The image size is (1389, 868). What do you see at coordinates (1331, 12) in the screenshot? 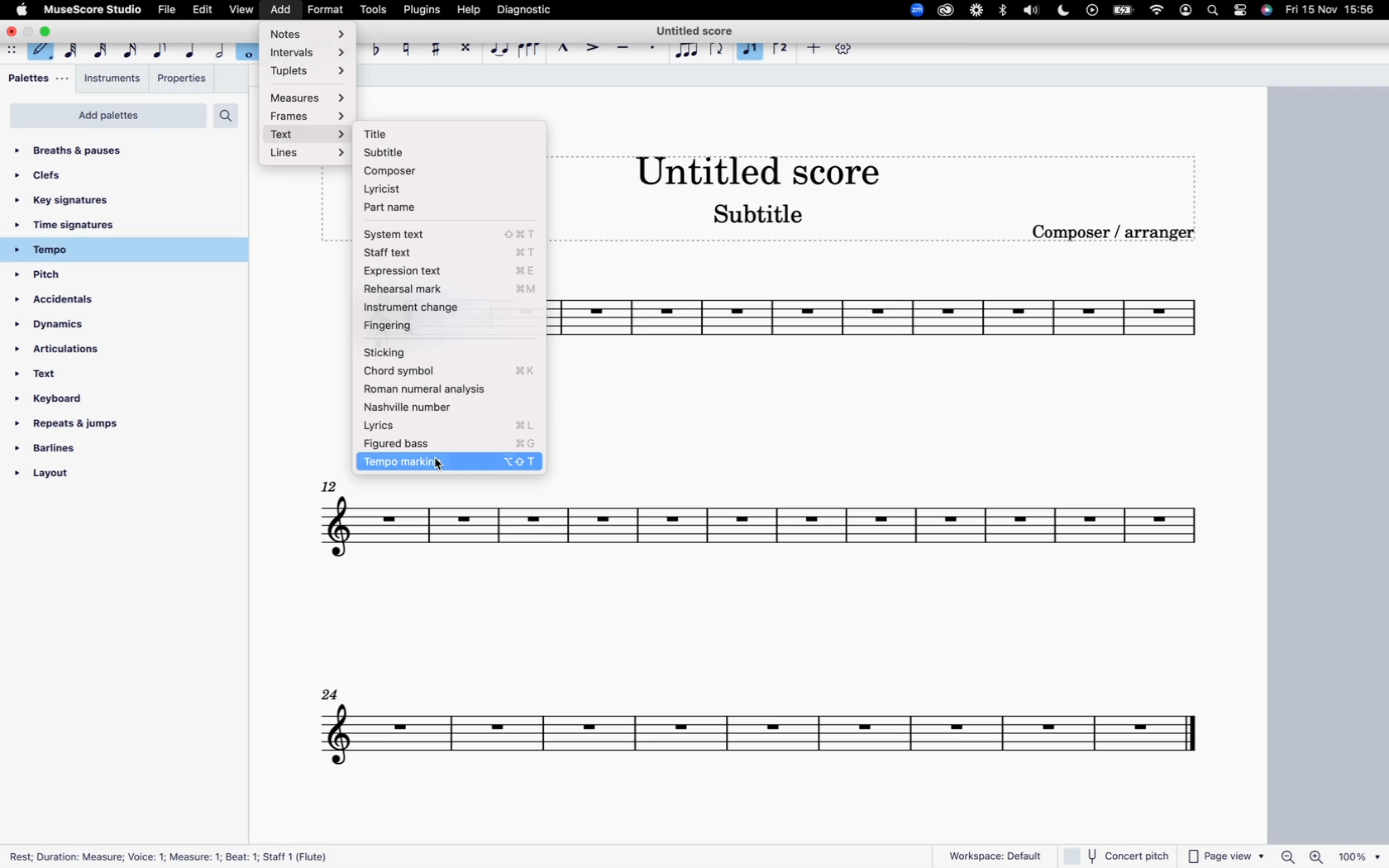
I see `date` at bounding box center [1331, 12].